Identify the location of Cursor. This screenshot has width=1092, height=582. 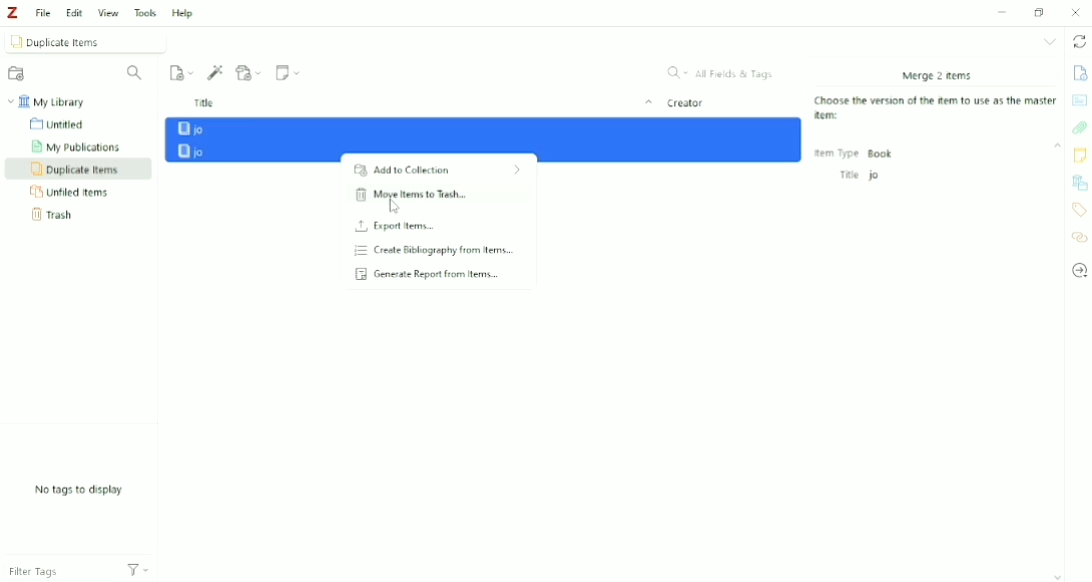
(395, 208).